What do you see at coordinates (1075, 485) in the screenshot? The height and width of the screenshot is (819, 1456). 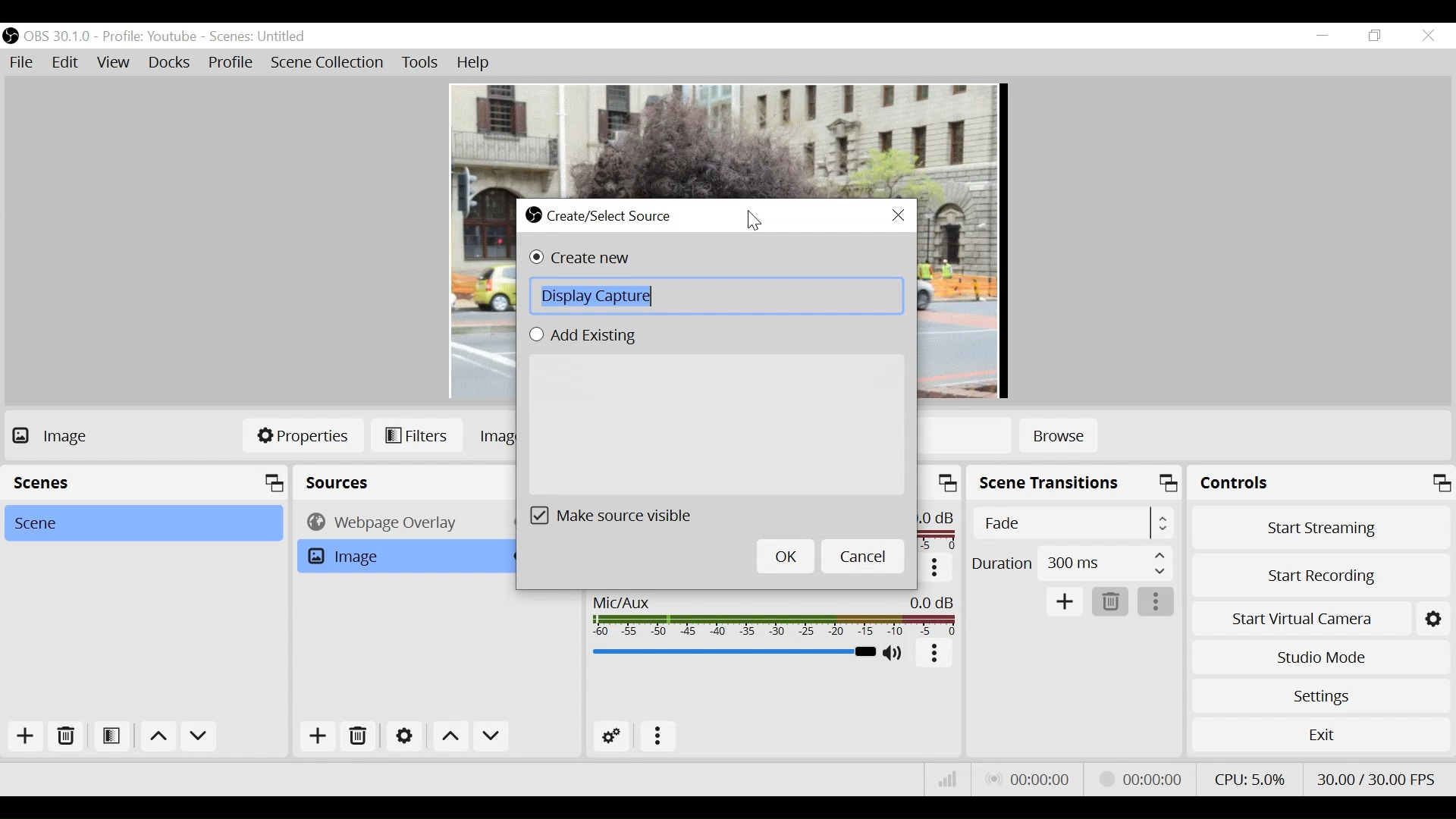 I see `Scene Transitions Panel` at bounding box center [1075, 485].